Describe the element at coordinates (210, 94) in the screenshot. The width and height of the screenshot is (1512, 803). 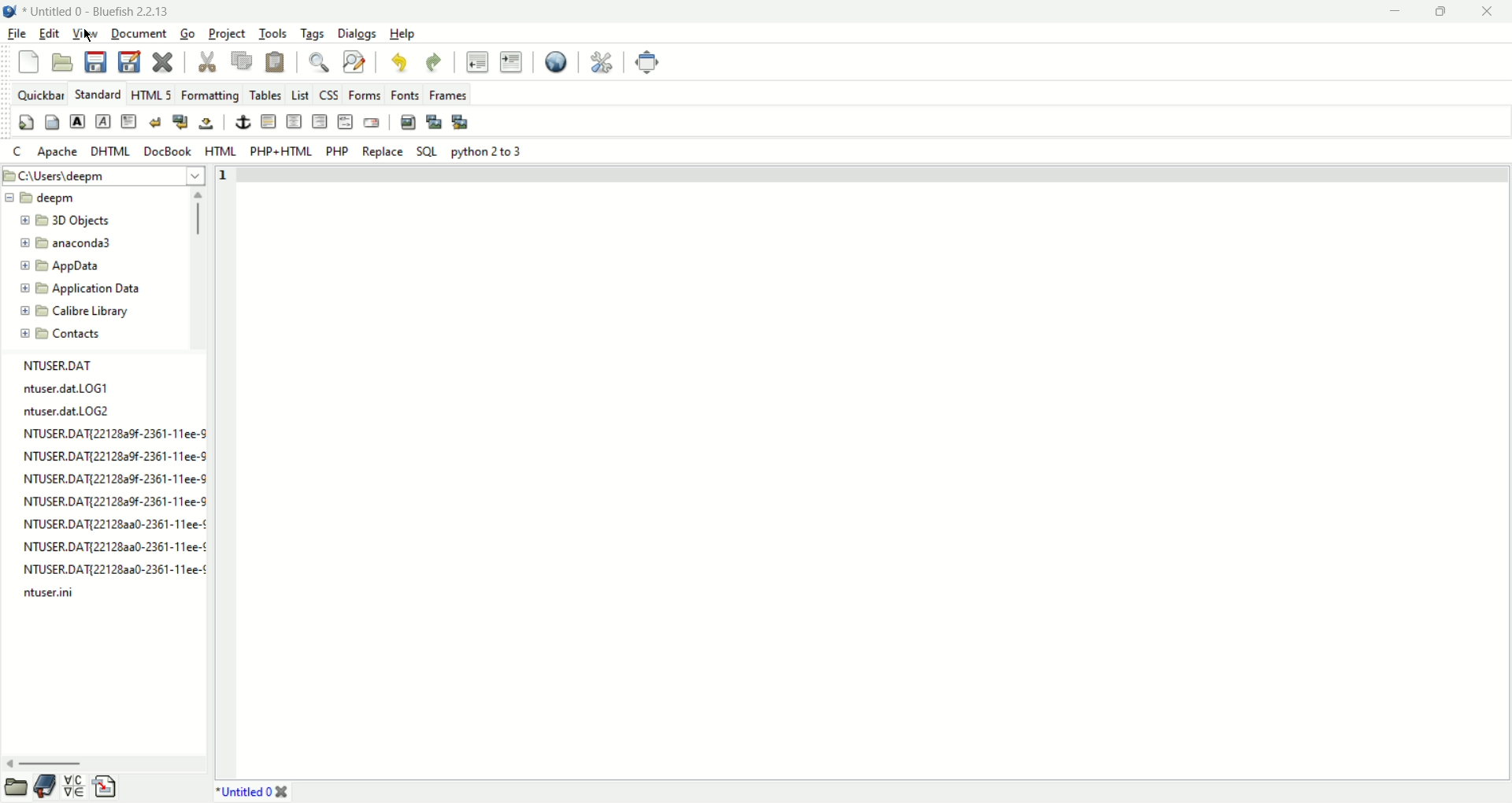
I see `formatting` at that location.